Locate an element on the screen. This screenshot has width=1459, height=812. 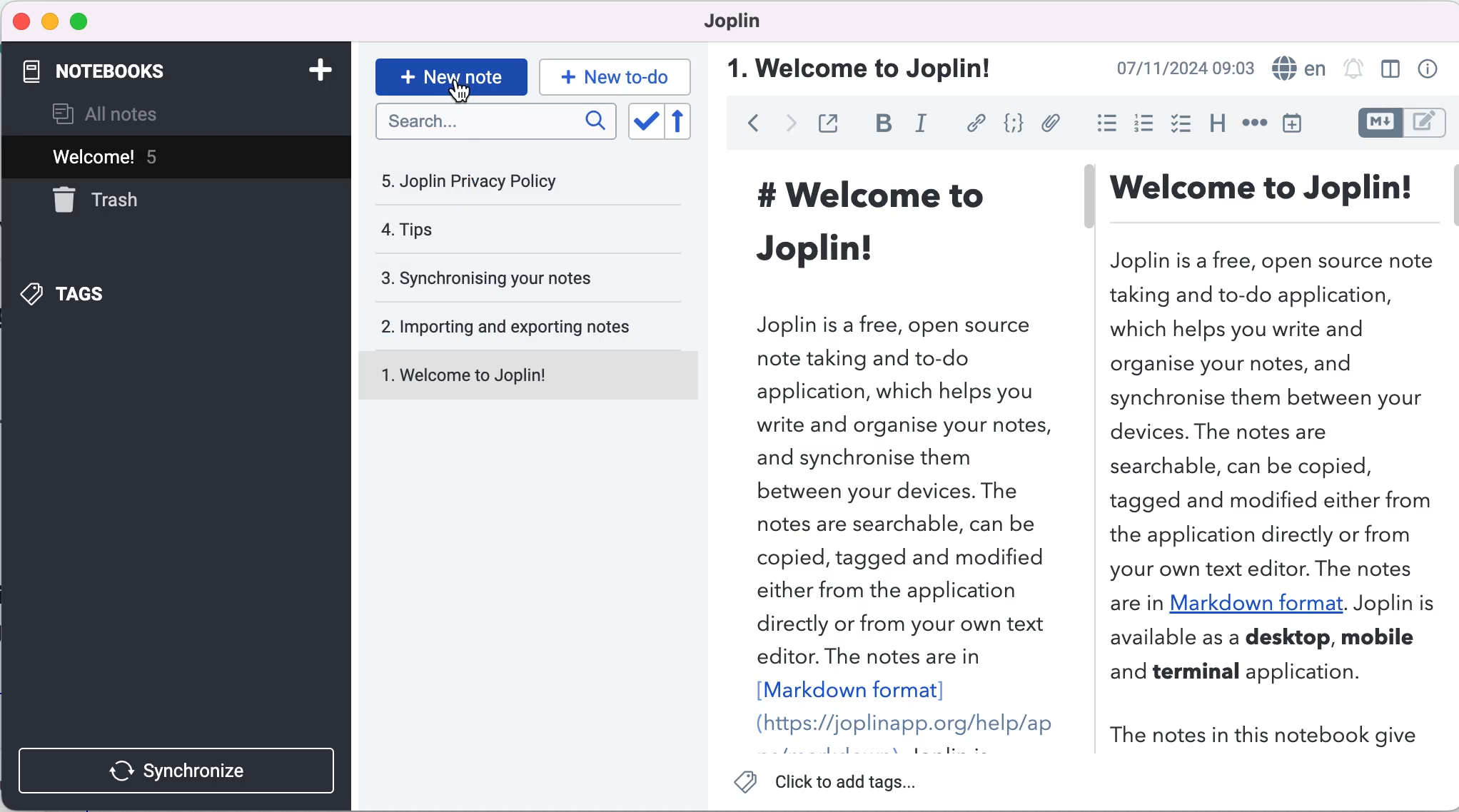
cursor is located at coordinates (467, 95).